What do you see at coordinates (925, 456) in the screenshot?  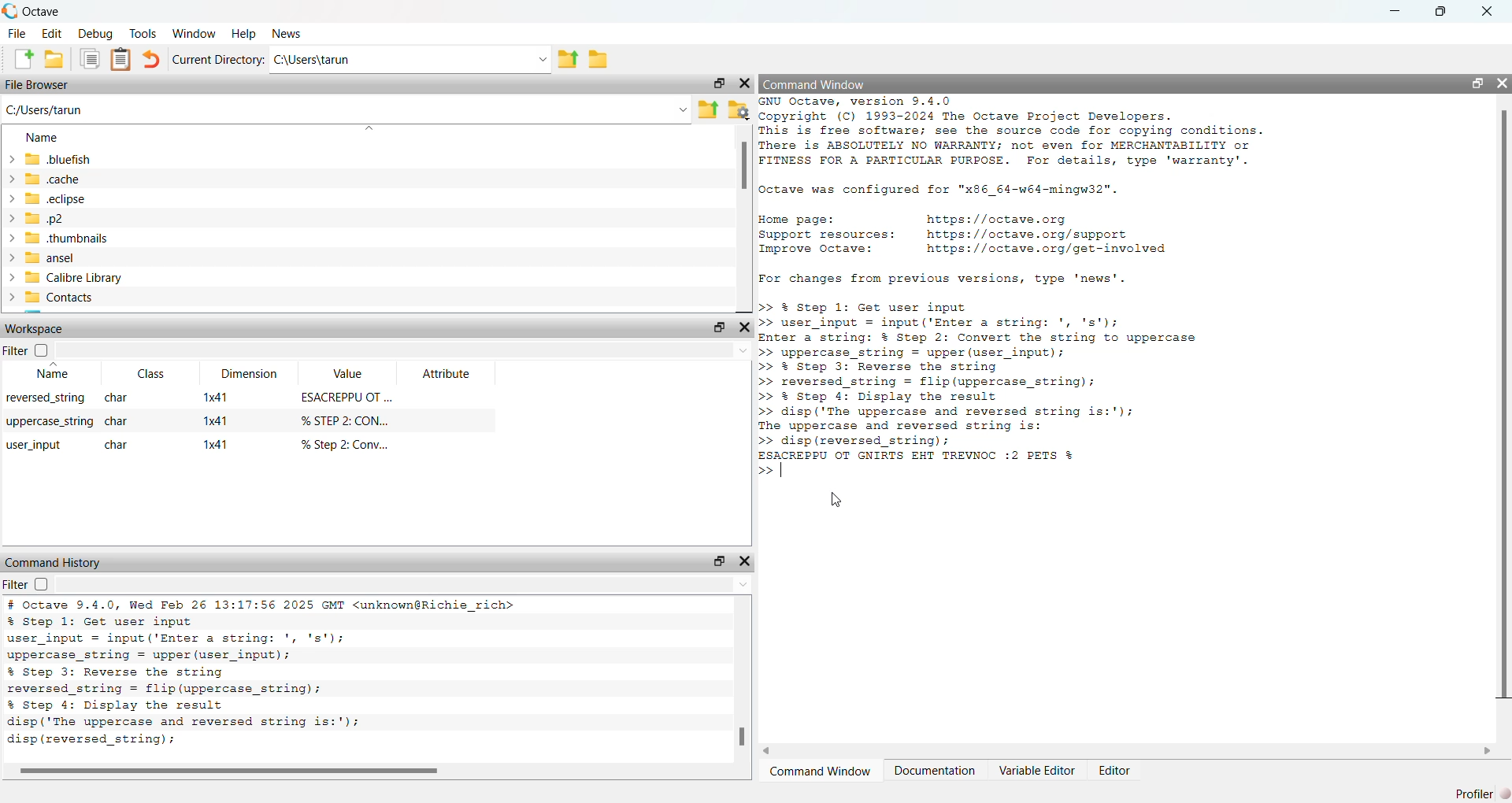 I see `ESACREPPU OT GNIRTS EHT TREVNOC :2 PETS %` at bounding box center [925, 456].